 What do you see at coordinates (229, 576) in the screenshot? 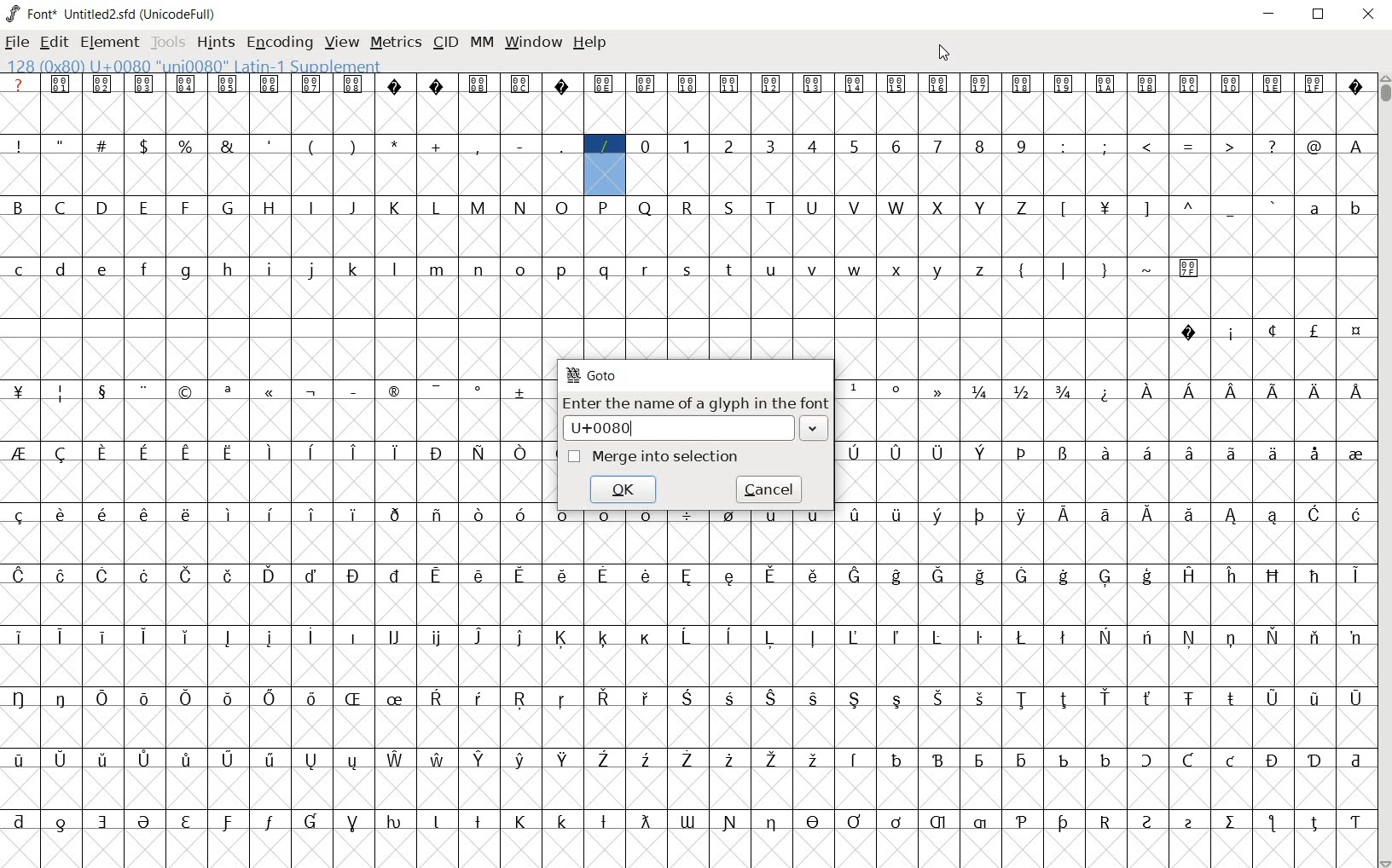
I see `glyph` at bounding box center [229, 576].